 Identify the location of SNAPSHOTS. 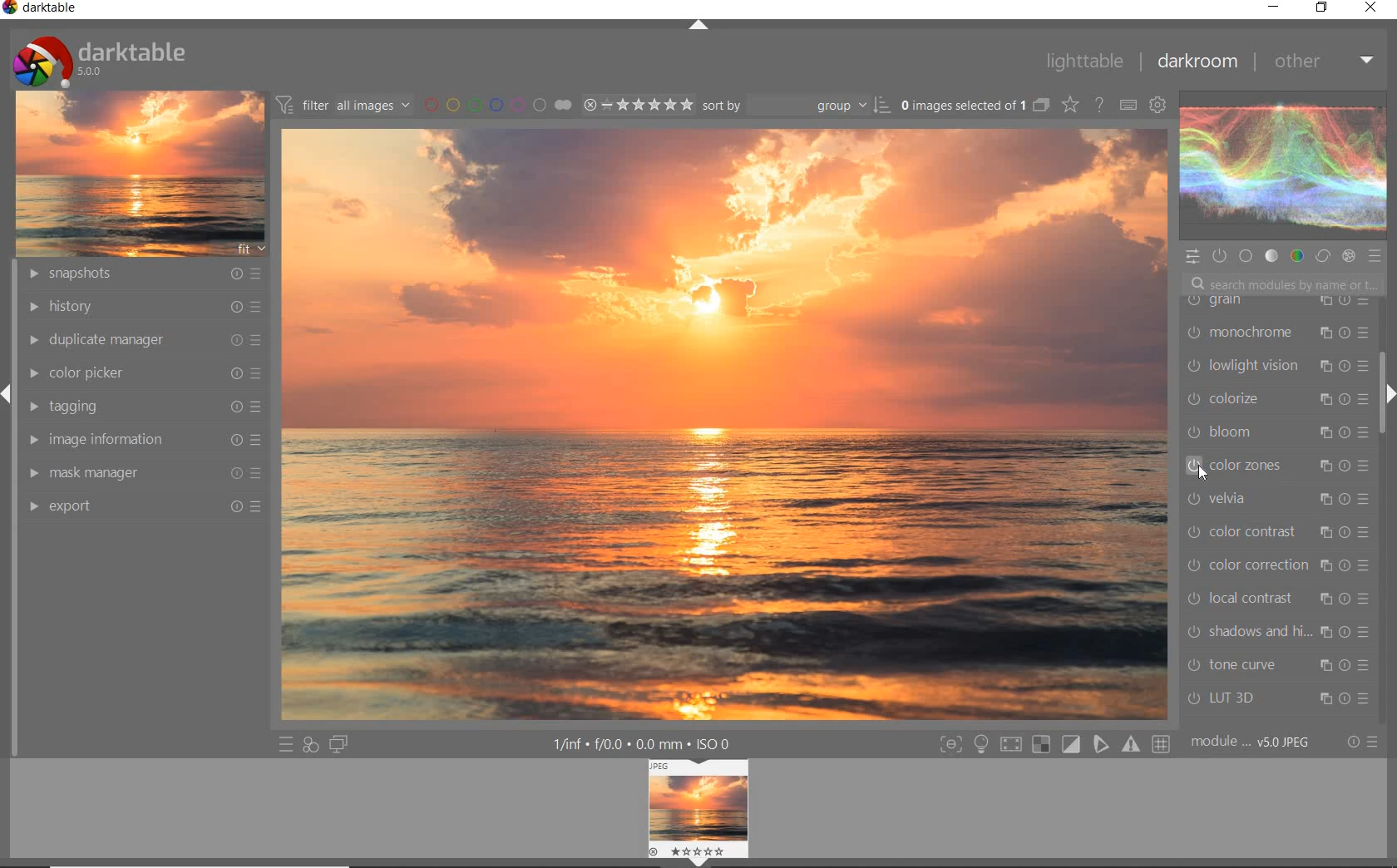
(143, 274).